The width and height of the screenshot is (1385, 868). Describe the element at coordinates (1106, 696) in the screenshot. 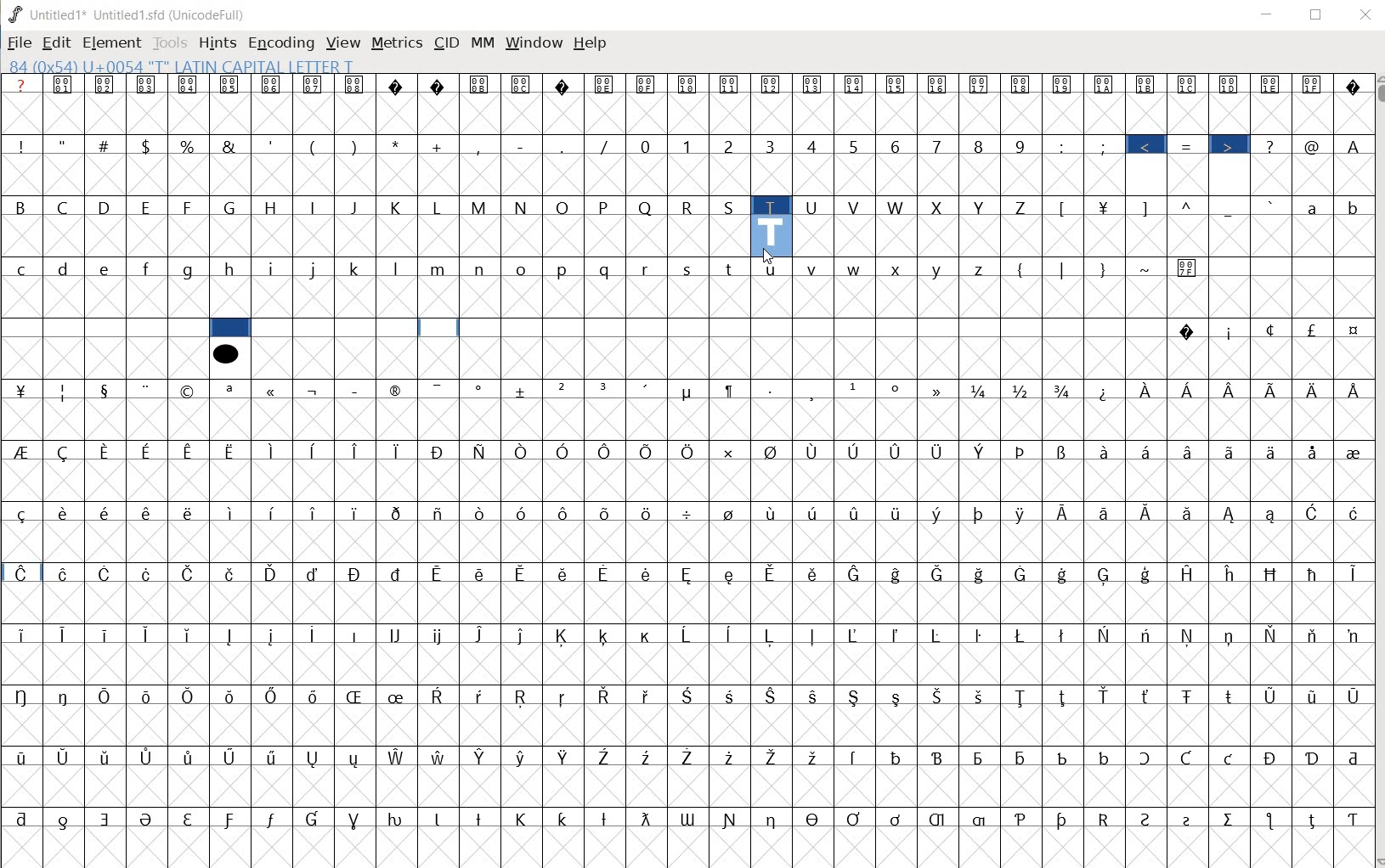

I see `Symbol` at that location.